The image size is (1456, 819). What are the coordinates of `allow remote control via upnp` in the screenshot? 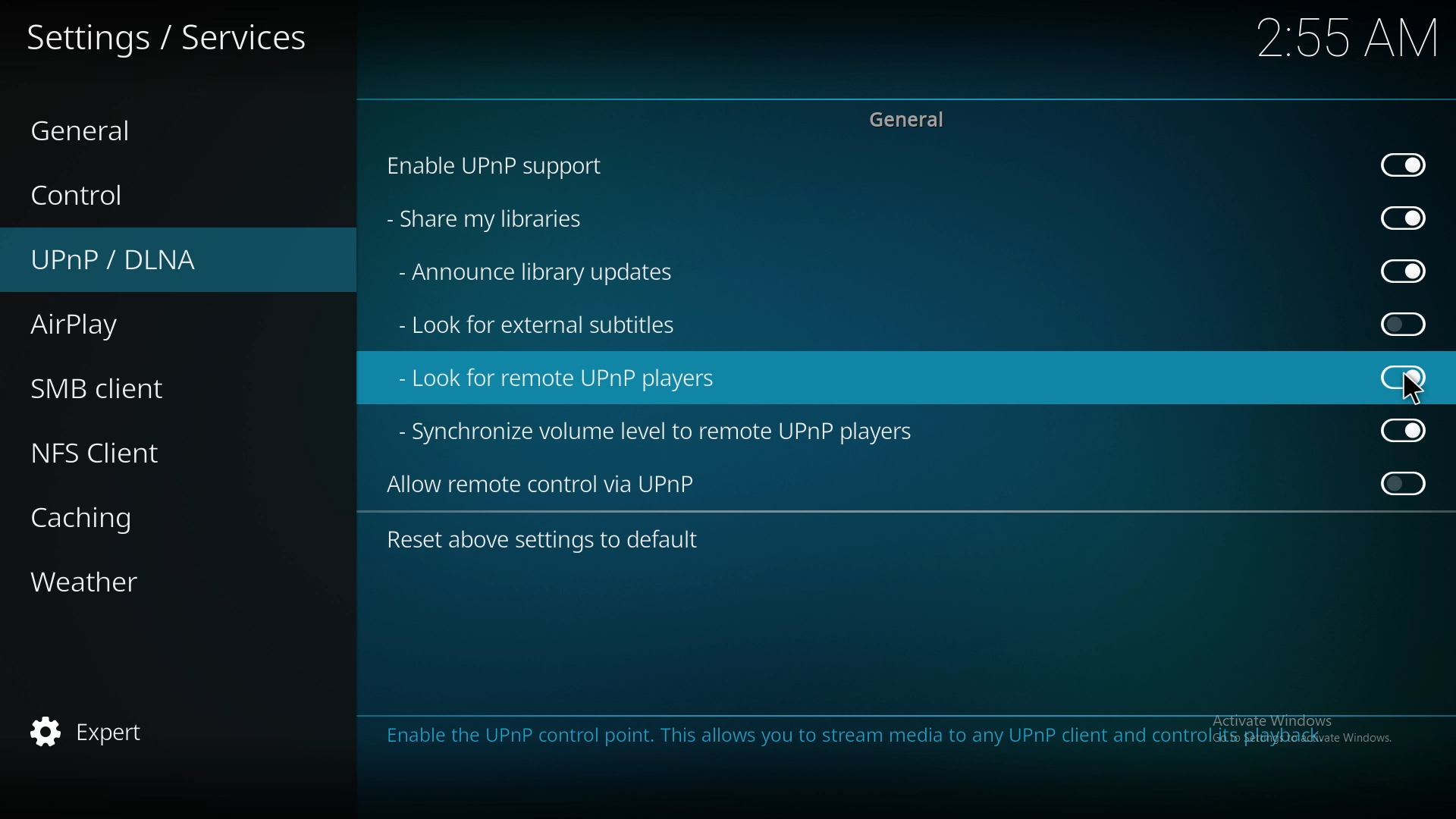 It's located at (560, 483).